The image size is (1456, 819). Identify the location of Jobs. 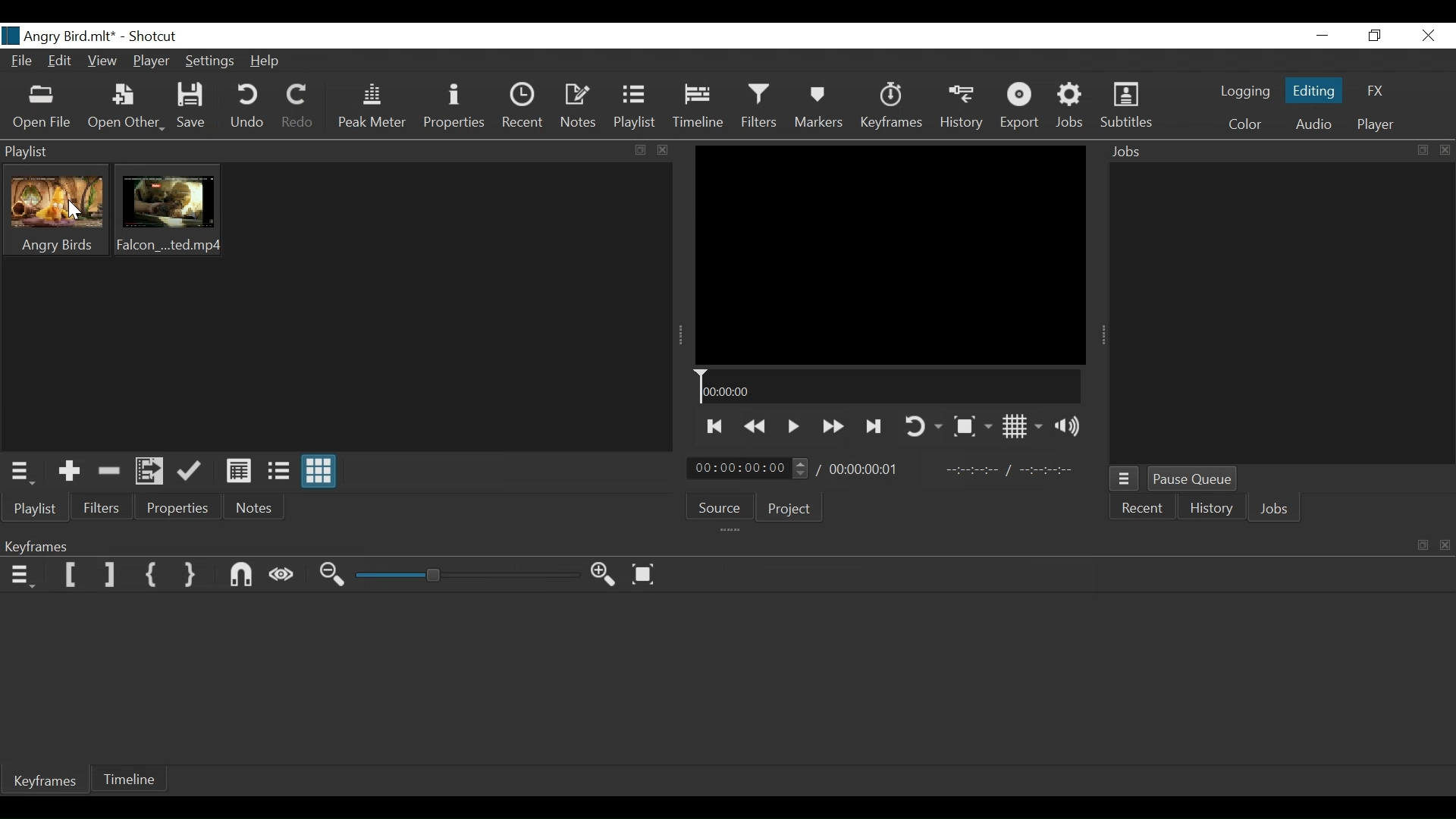
(1276, 509).